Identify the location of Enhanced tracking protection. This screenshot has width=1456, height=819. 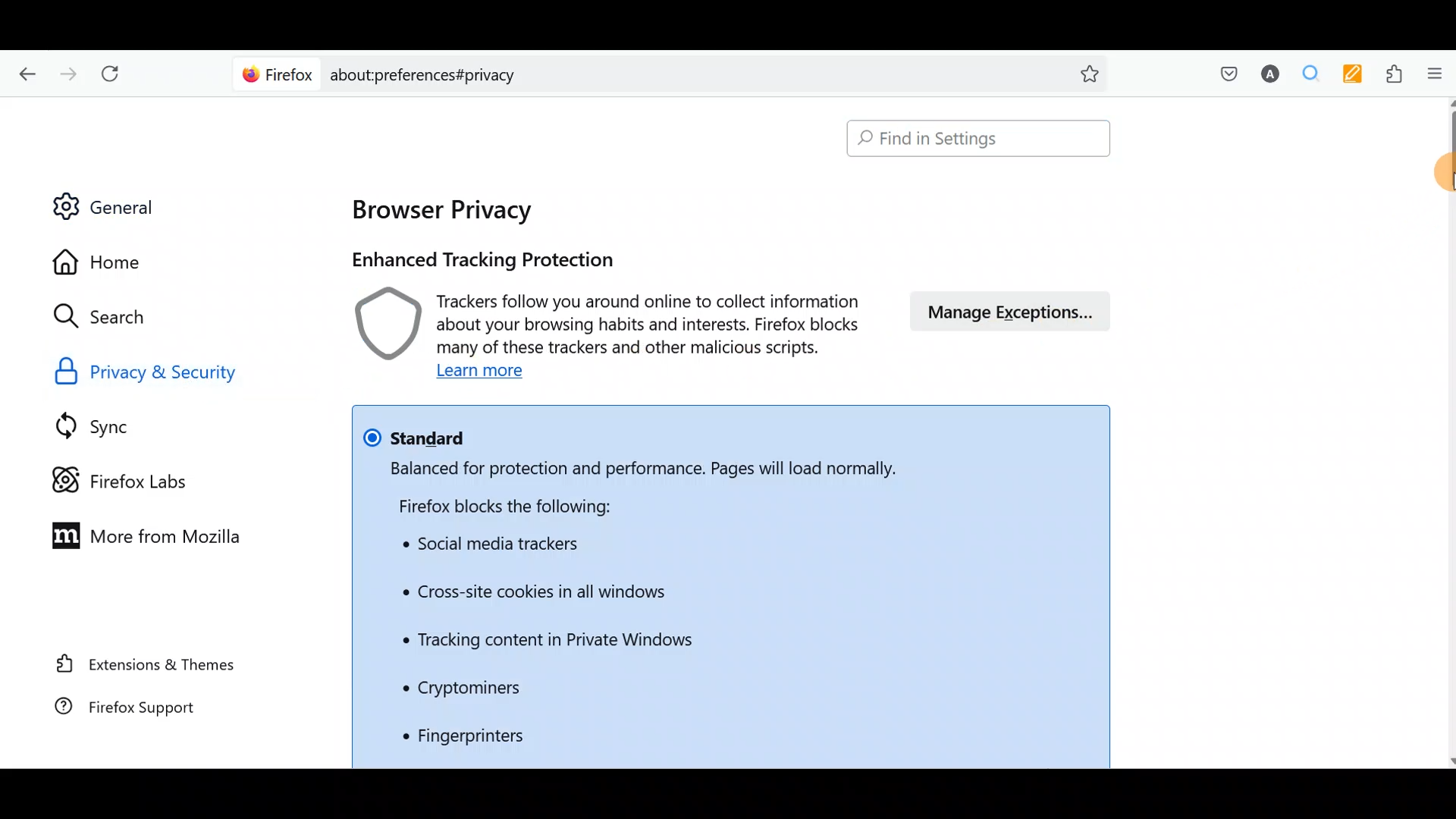
(497, 258).